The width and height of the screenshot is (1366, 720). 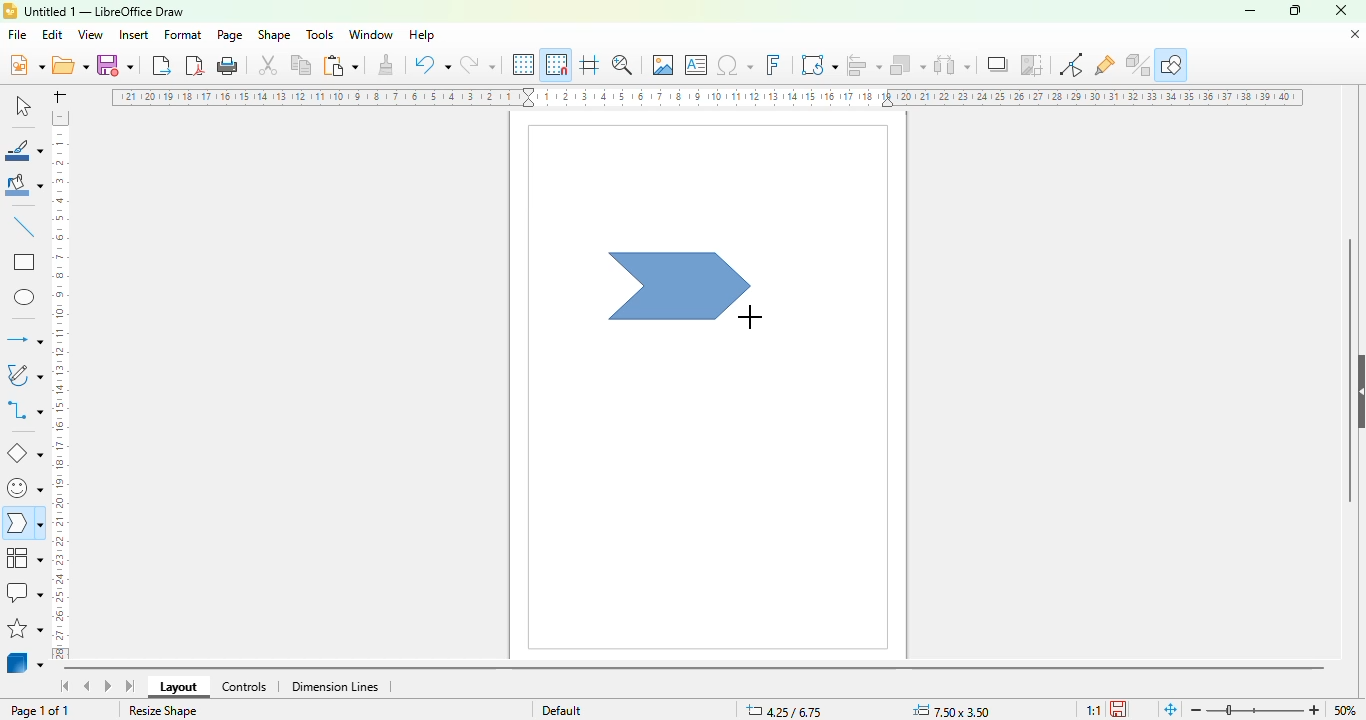 What do you see at coordinates (178, 687) in the screenshot?
I see `layout` at bounding box center [178, 687].